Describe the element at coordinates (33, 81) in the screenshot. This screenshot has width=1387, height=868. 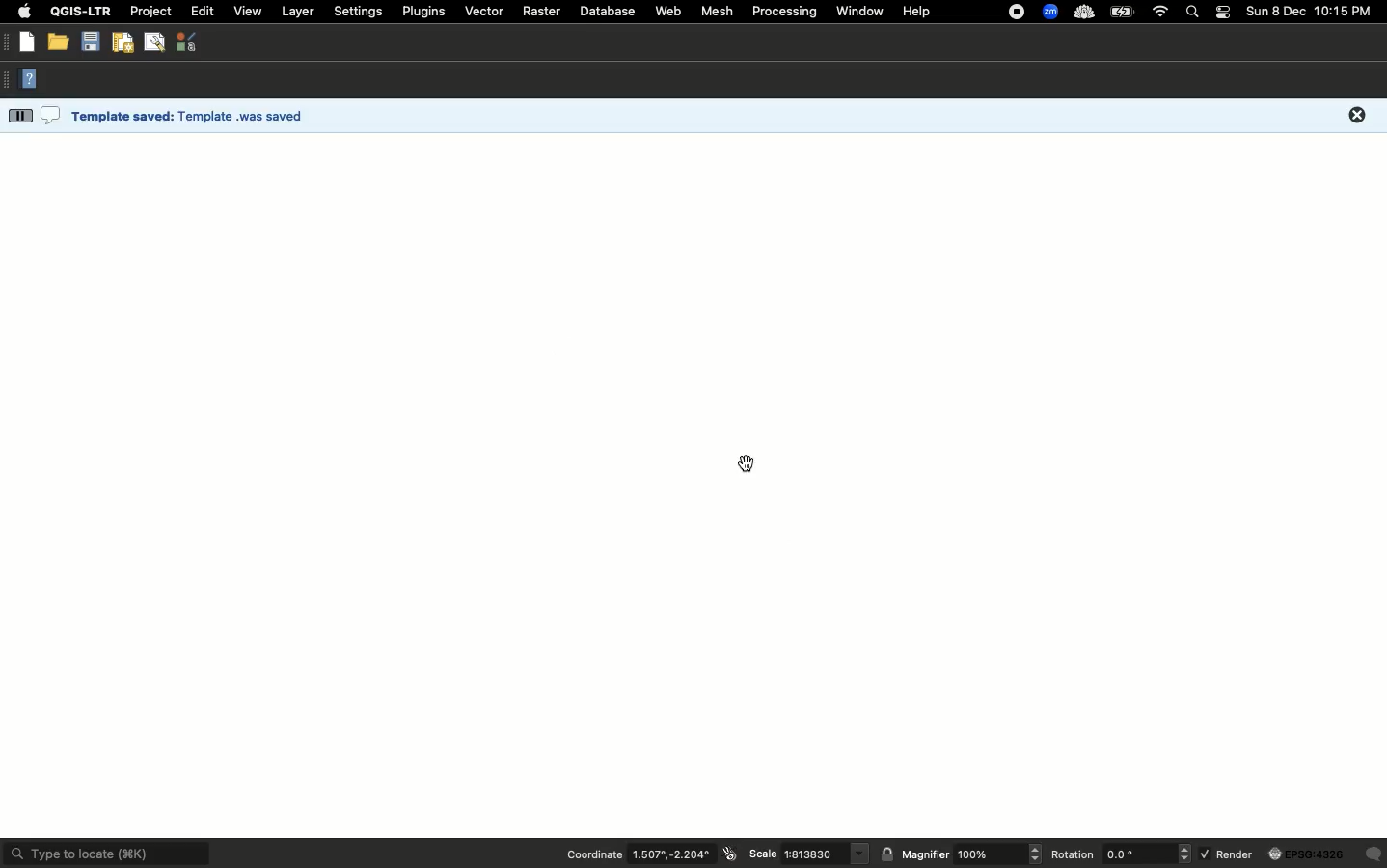
I see `Help` at that location.